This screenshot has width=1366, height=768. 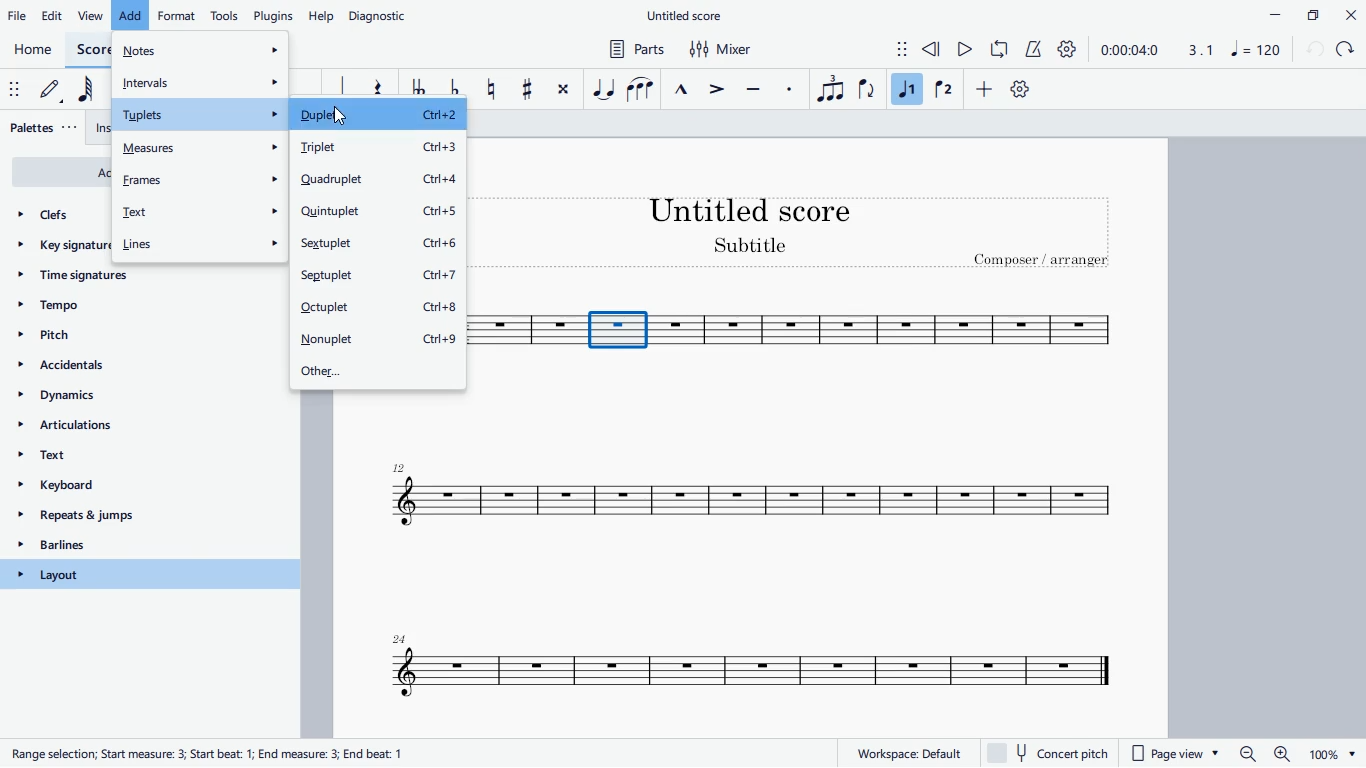 I want to click on home, so click(x=34, y=51).